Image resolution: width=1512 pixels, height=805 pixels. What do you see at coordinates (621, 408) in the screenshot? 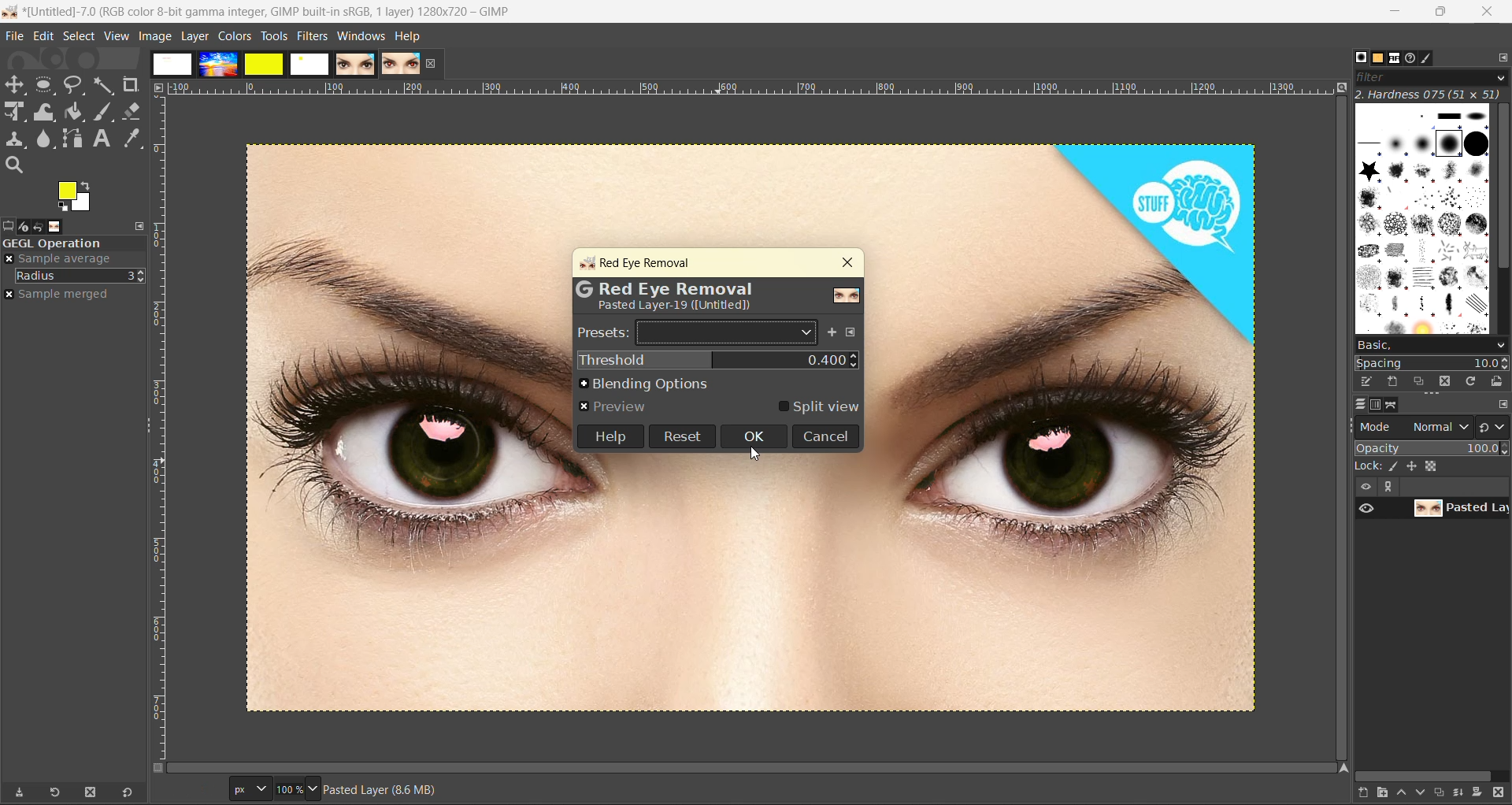
I see `preview` at bounding box center [621, 408].